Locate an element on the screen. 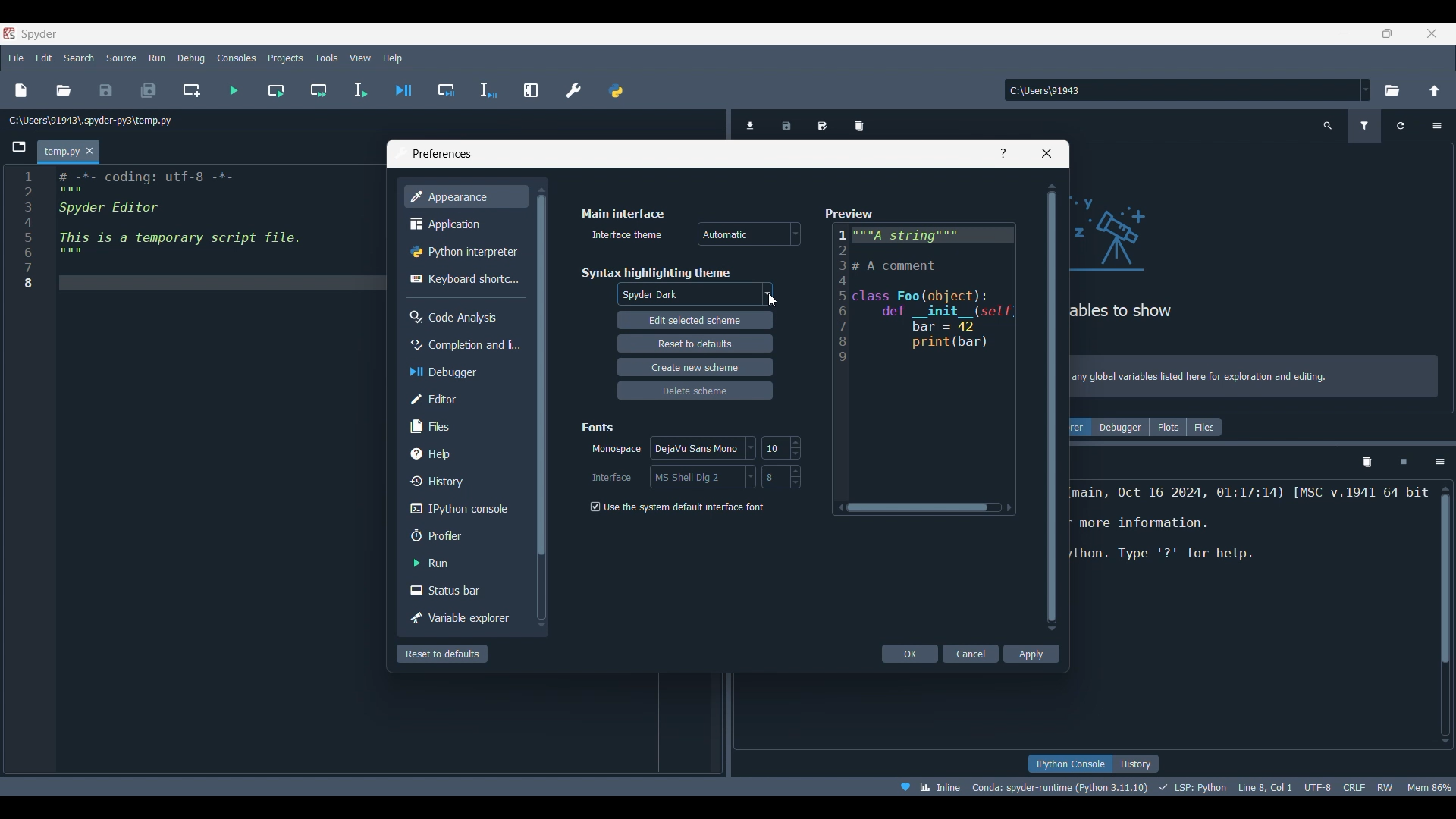 Image resolution: width=1456 pixels, height=819 pixels. Run current cell and go to the next one is located at coordinates (318, 90).